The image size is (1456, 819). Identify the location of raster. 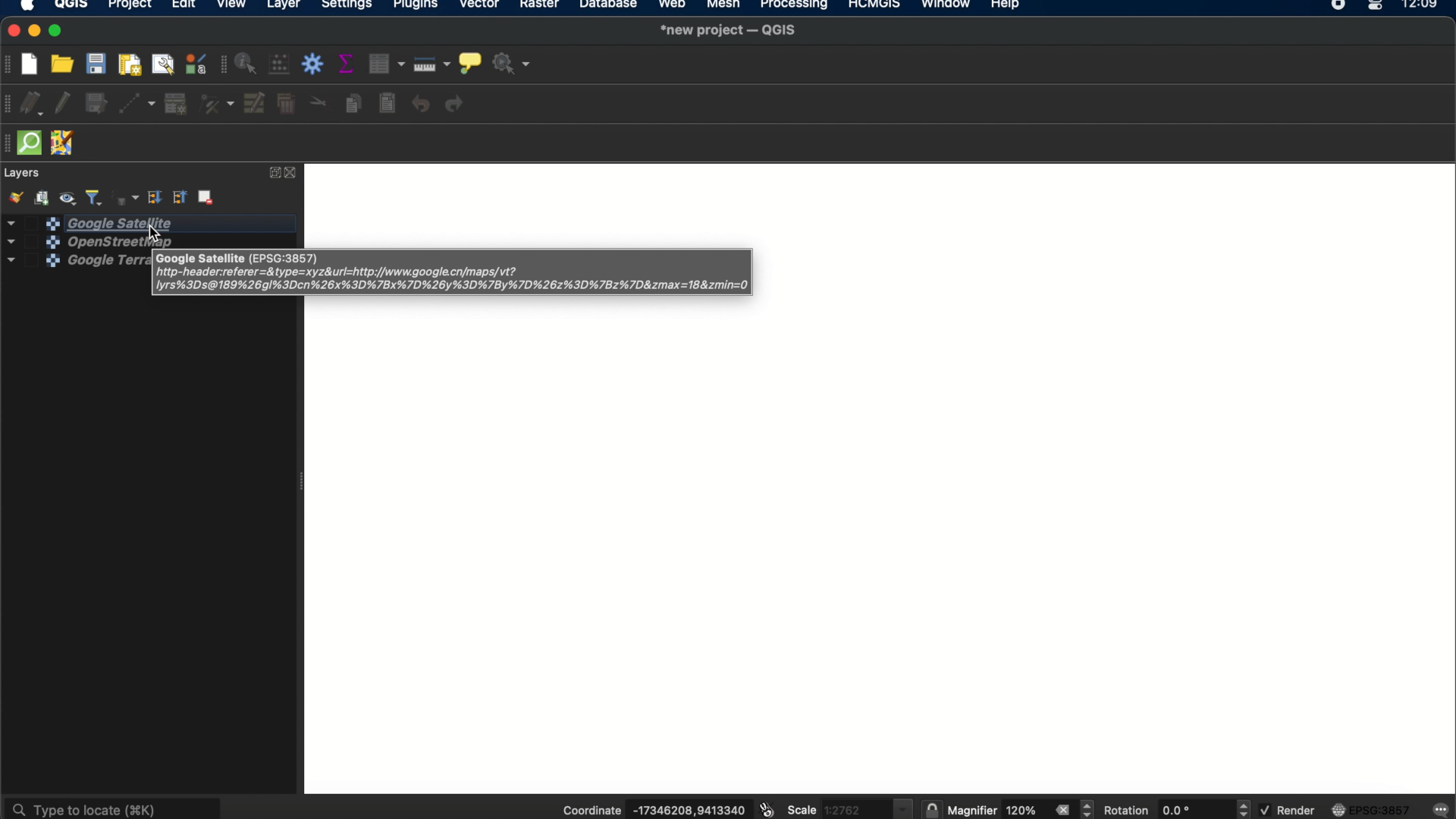
(542, 7).